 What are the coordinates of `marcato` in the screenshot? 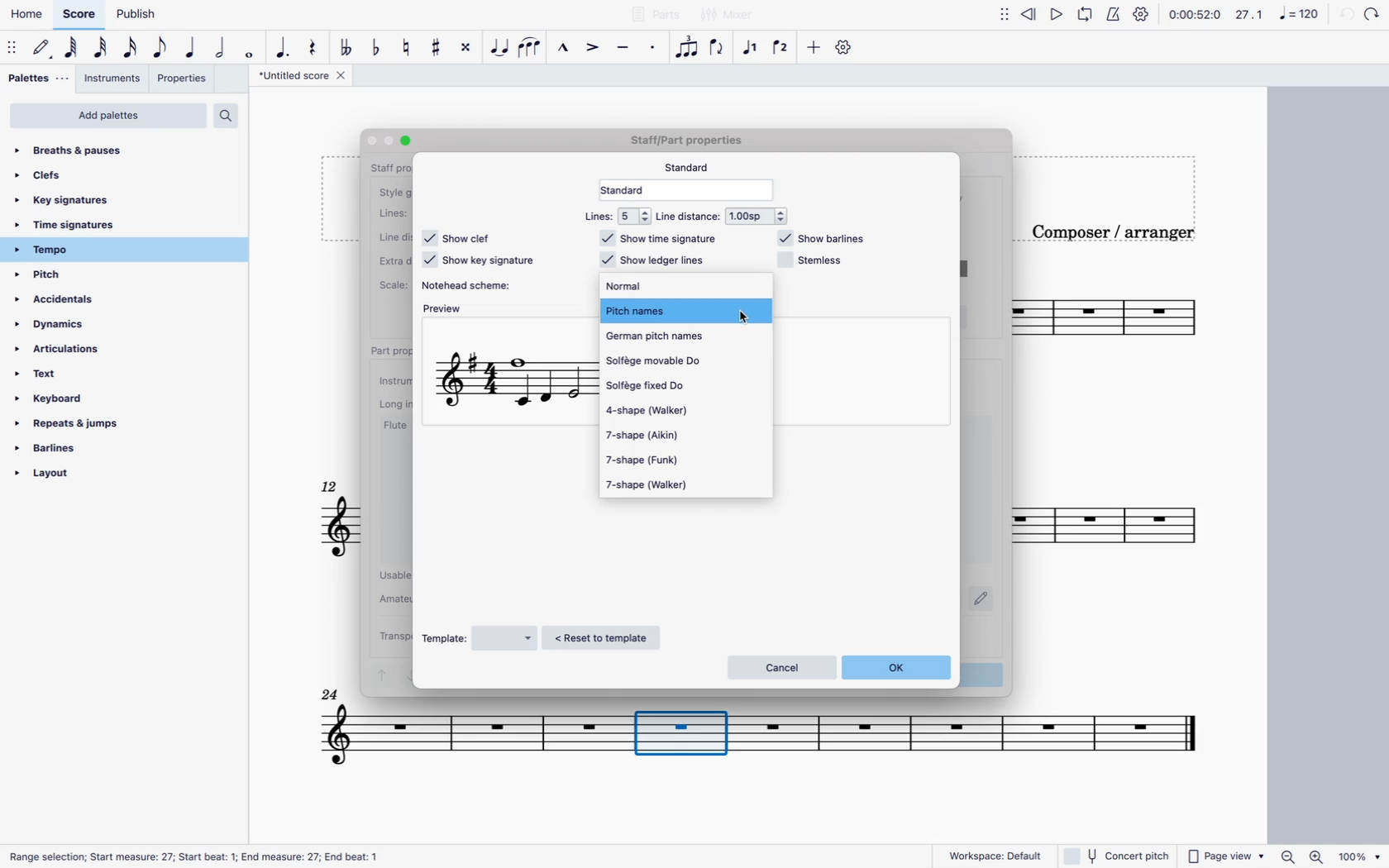 It's located at (564, 49).